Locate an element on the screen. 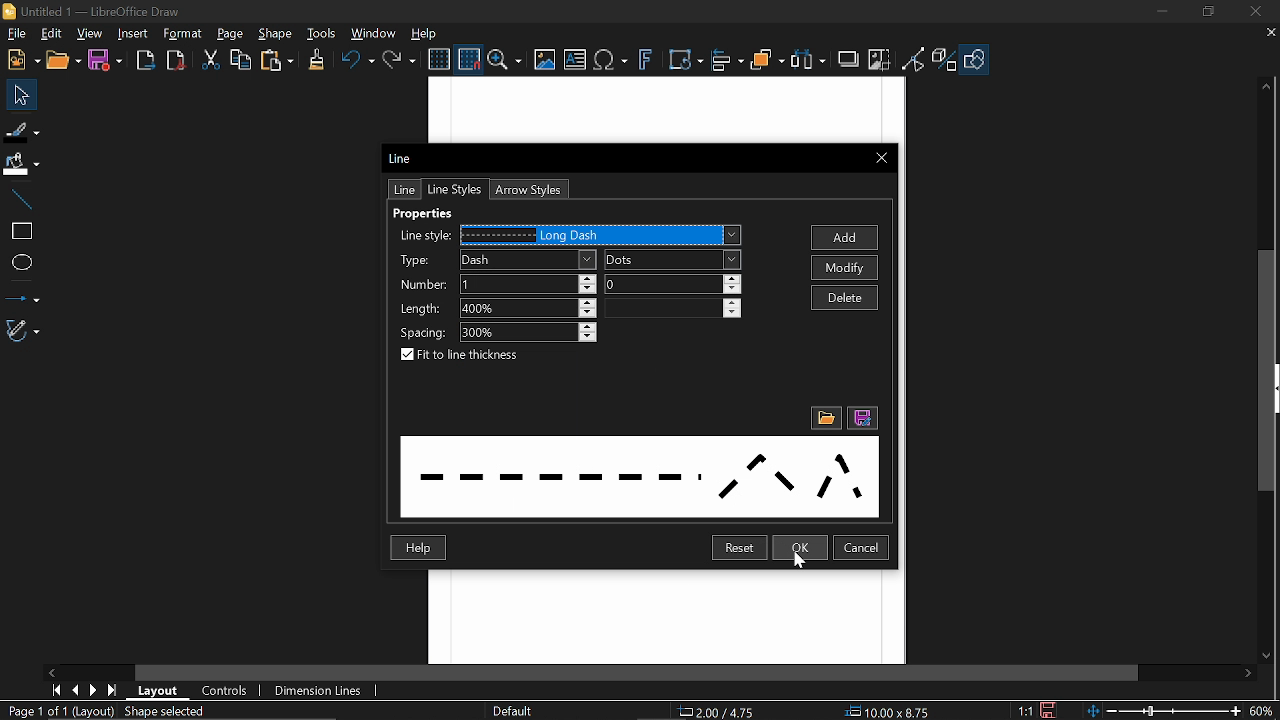  Align is located at coordinates (728, 61).